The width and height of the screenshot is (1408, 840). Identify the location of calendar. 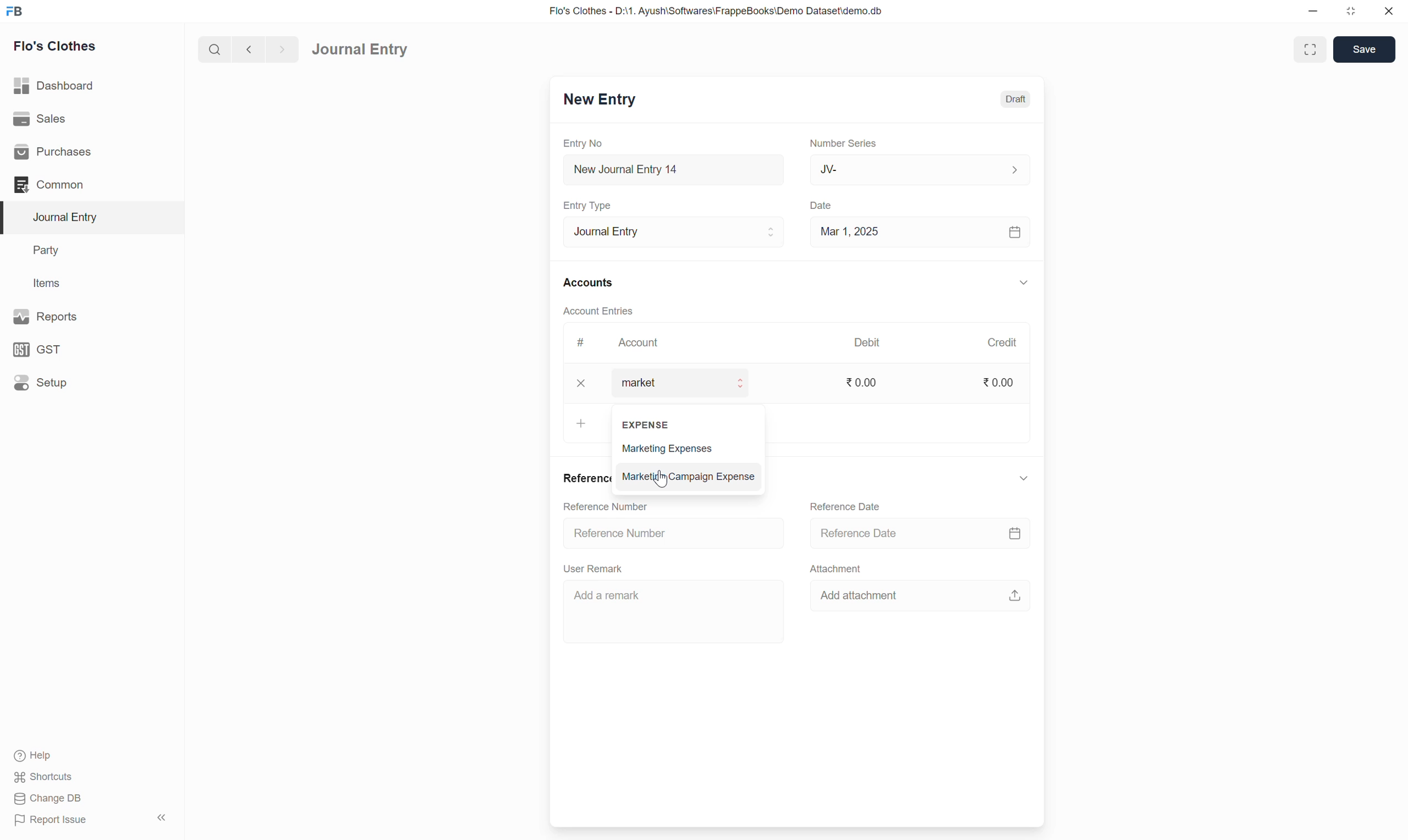
(1016, 233).